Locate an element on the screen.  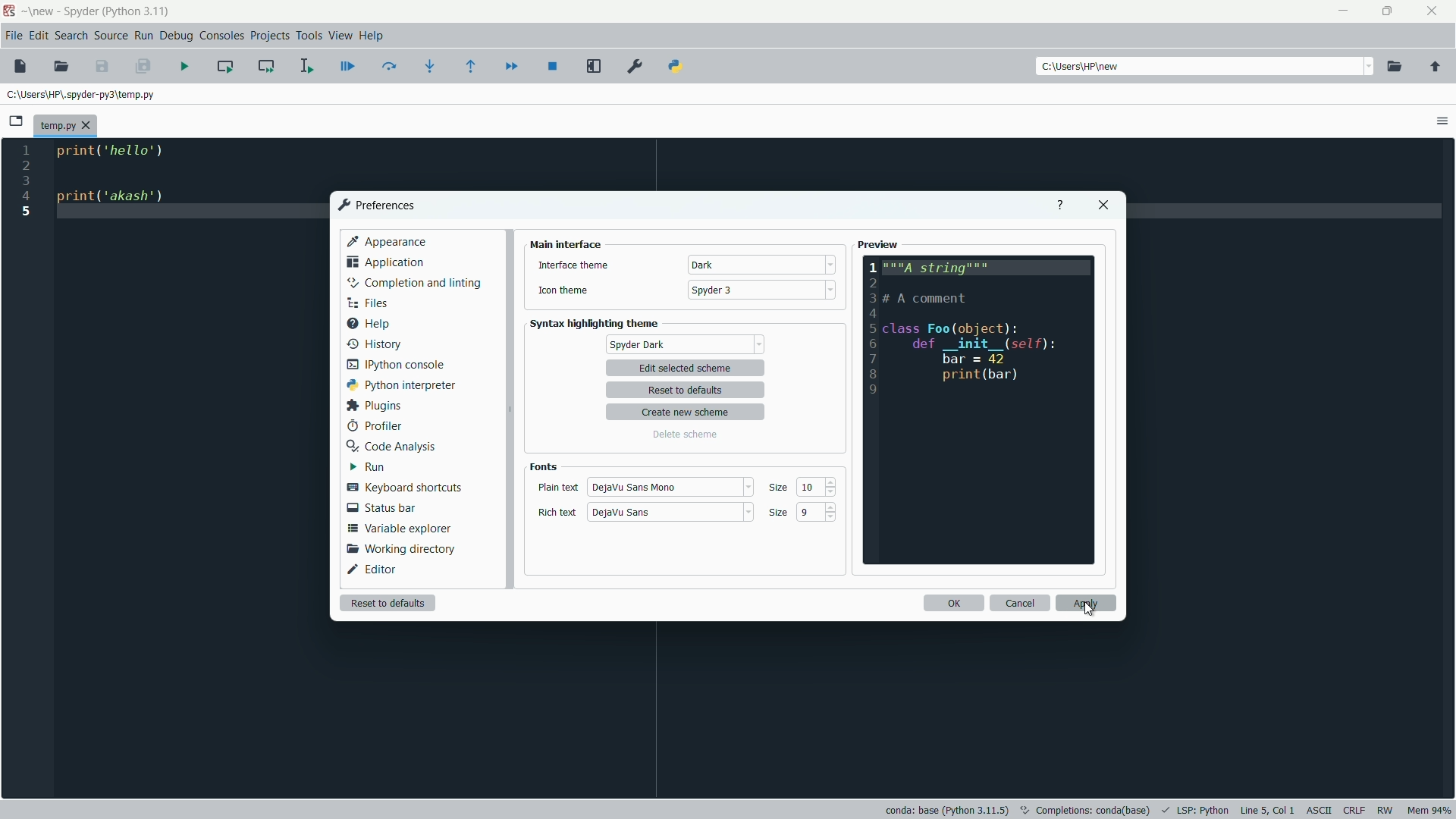
edit selected scheme is located at coordinates (685, 369).